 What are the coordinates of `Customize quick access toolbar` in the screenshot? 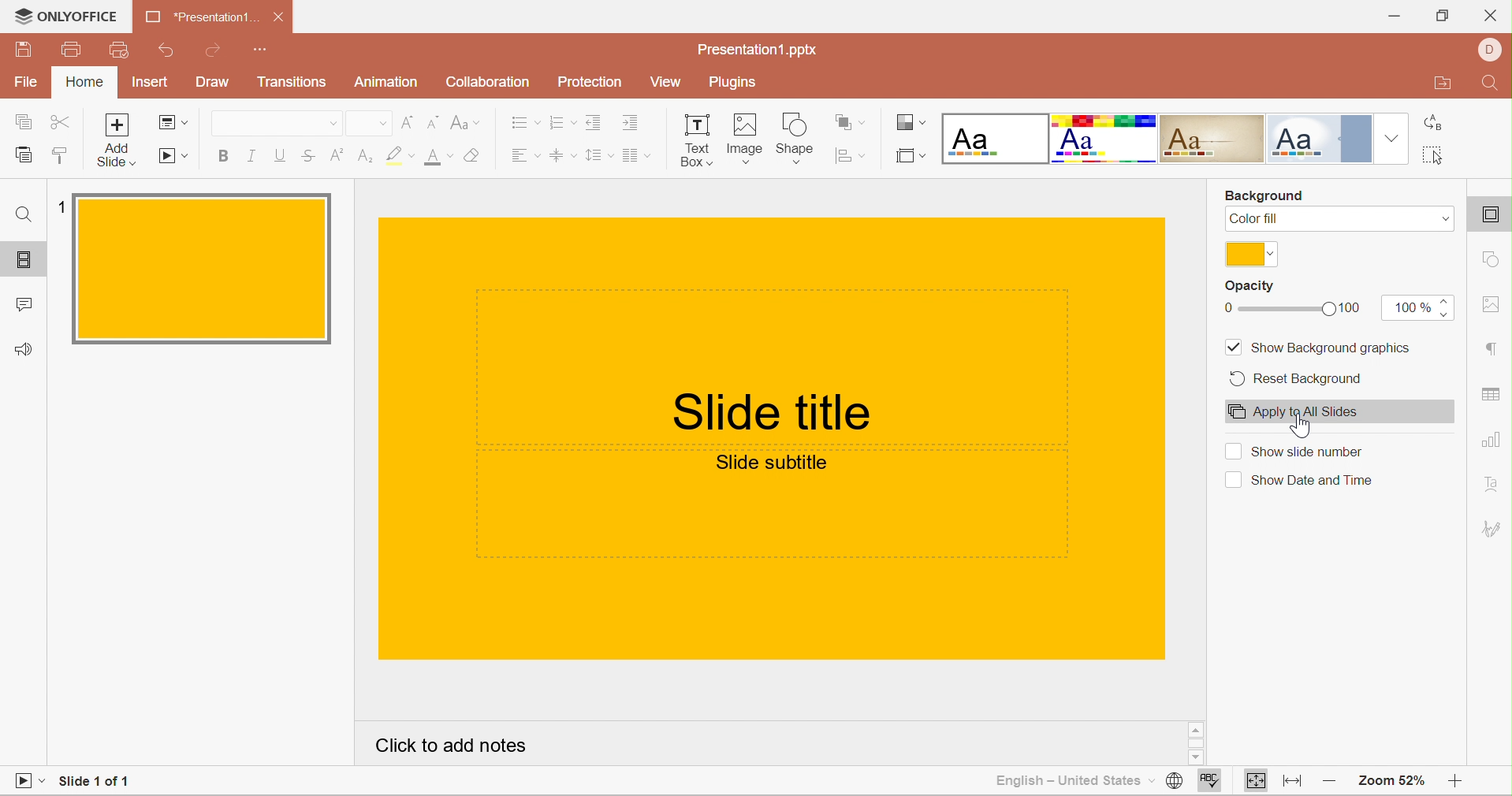 It's located at (266, 50).